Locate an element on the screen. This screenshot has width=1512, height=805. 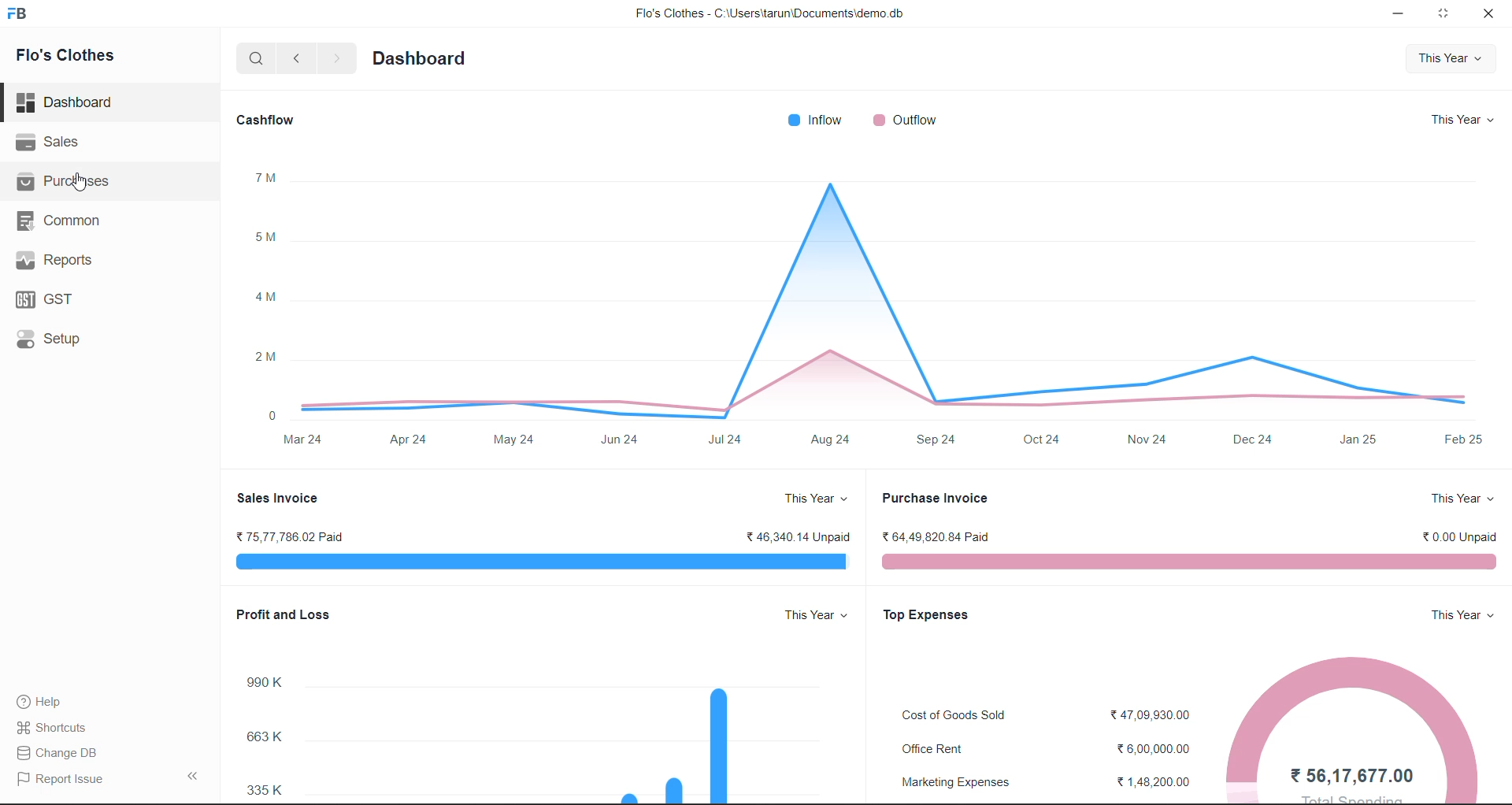
Flo's Clothes - C:\Users\tarun\Documents\demo.db is located at coordinates (769, 15).